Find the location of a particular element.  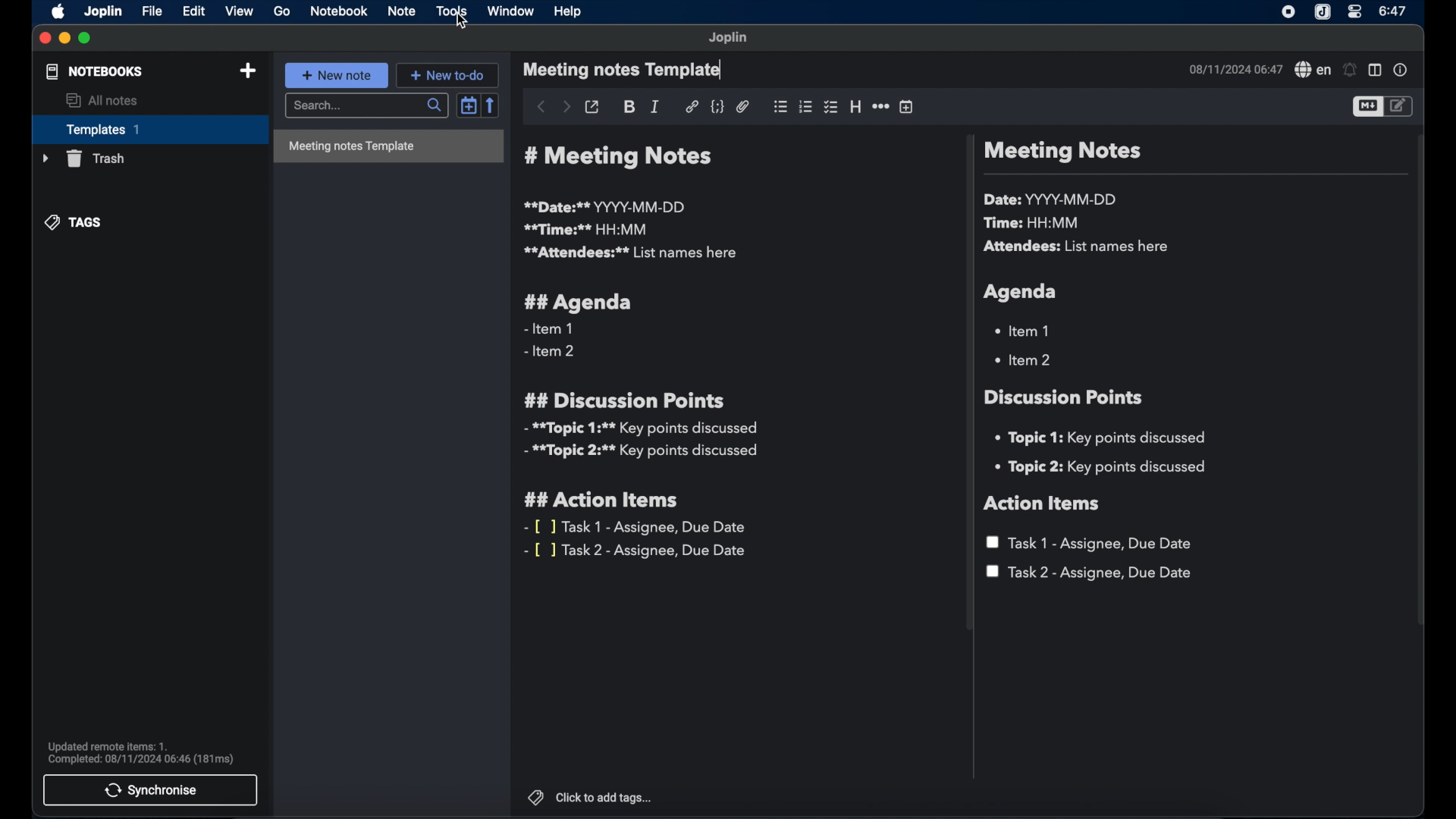

**topic 1:** key points discussed is located at coordinates (639, 428).